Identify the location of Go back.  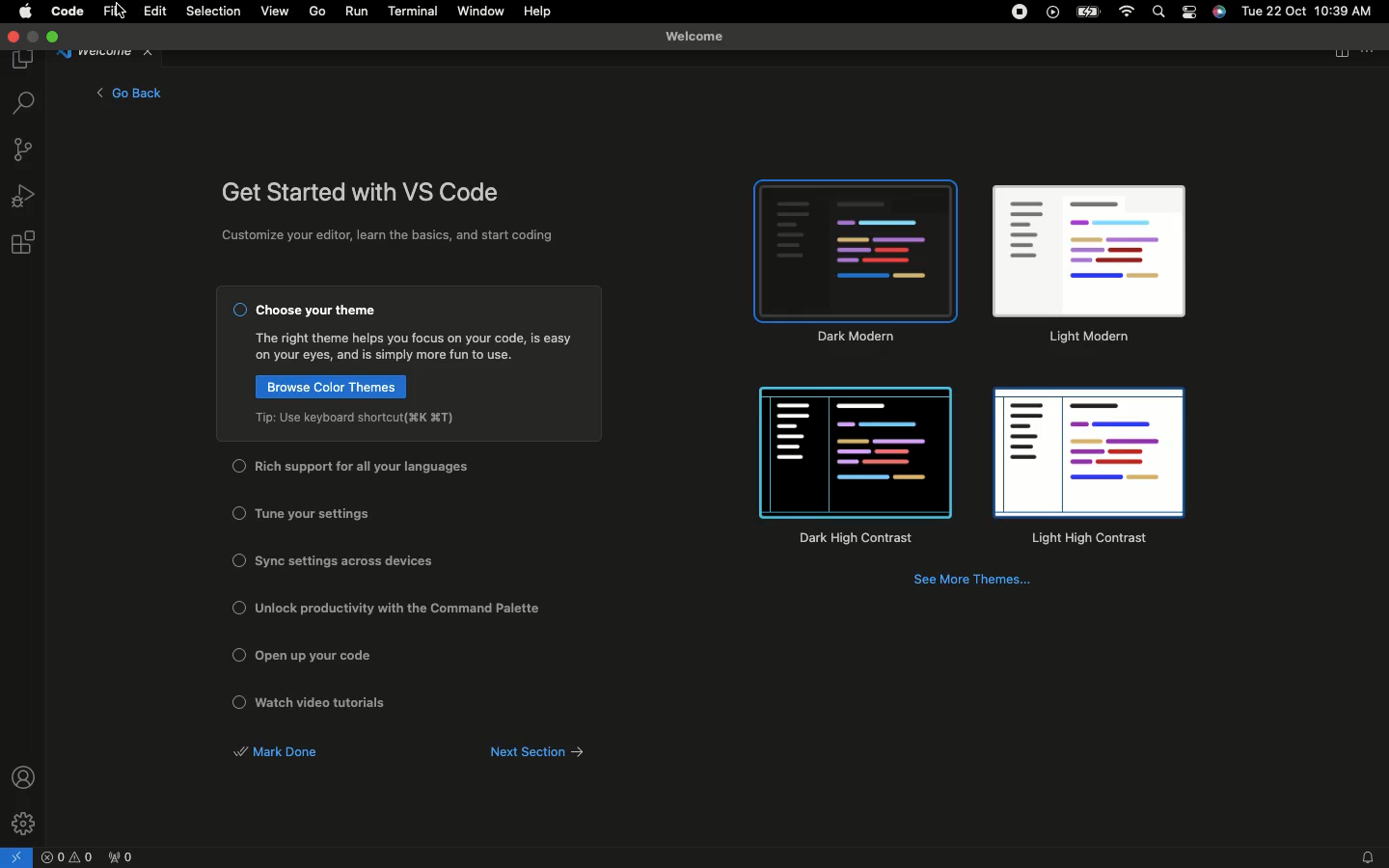
(129, 93).